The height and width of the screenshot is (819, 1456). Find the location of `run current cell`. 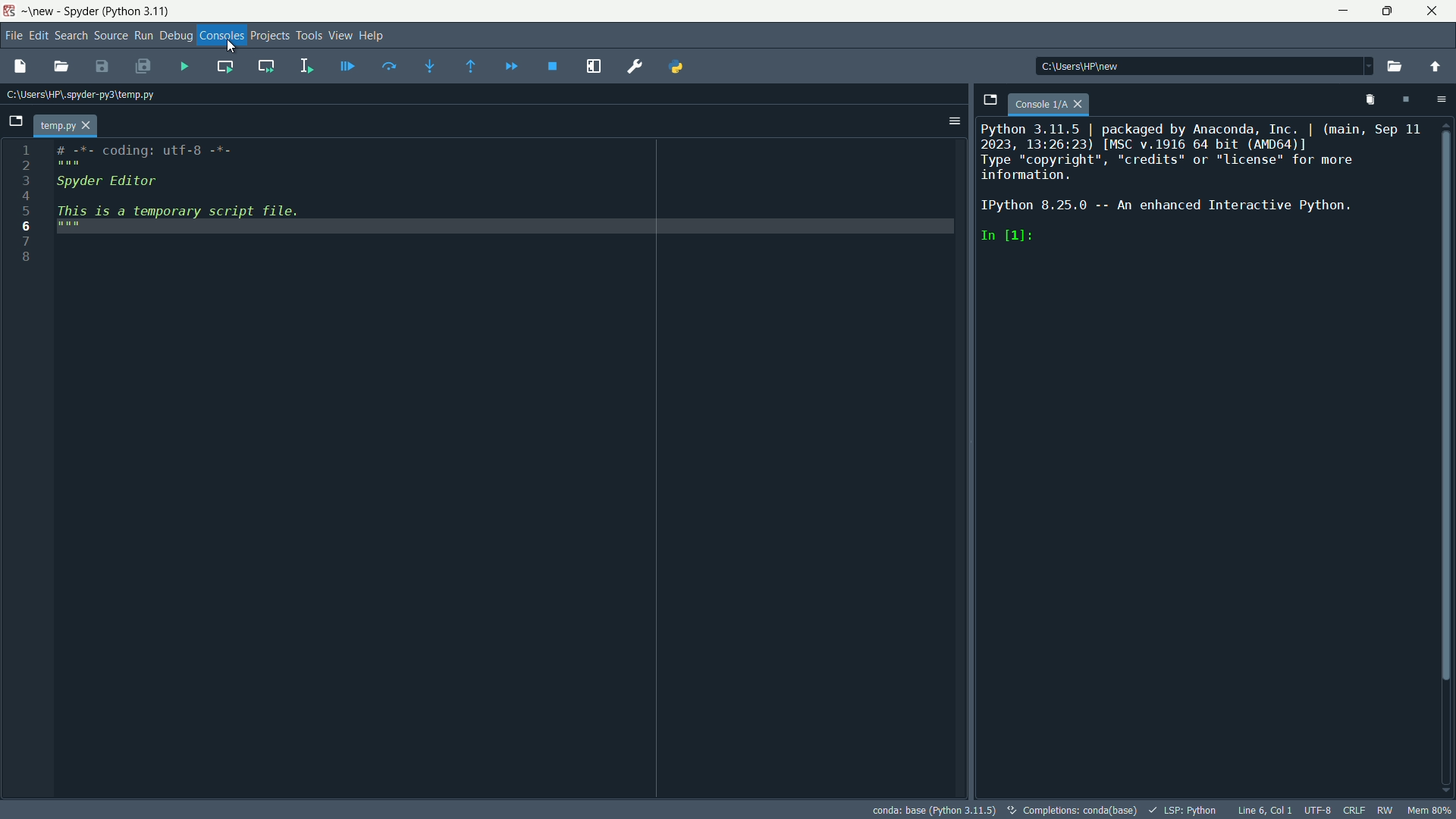

run current cell is located at coordinates (224, 66).